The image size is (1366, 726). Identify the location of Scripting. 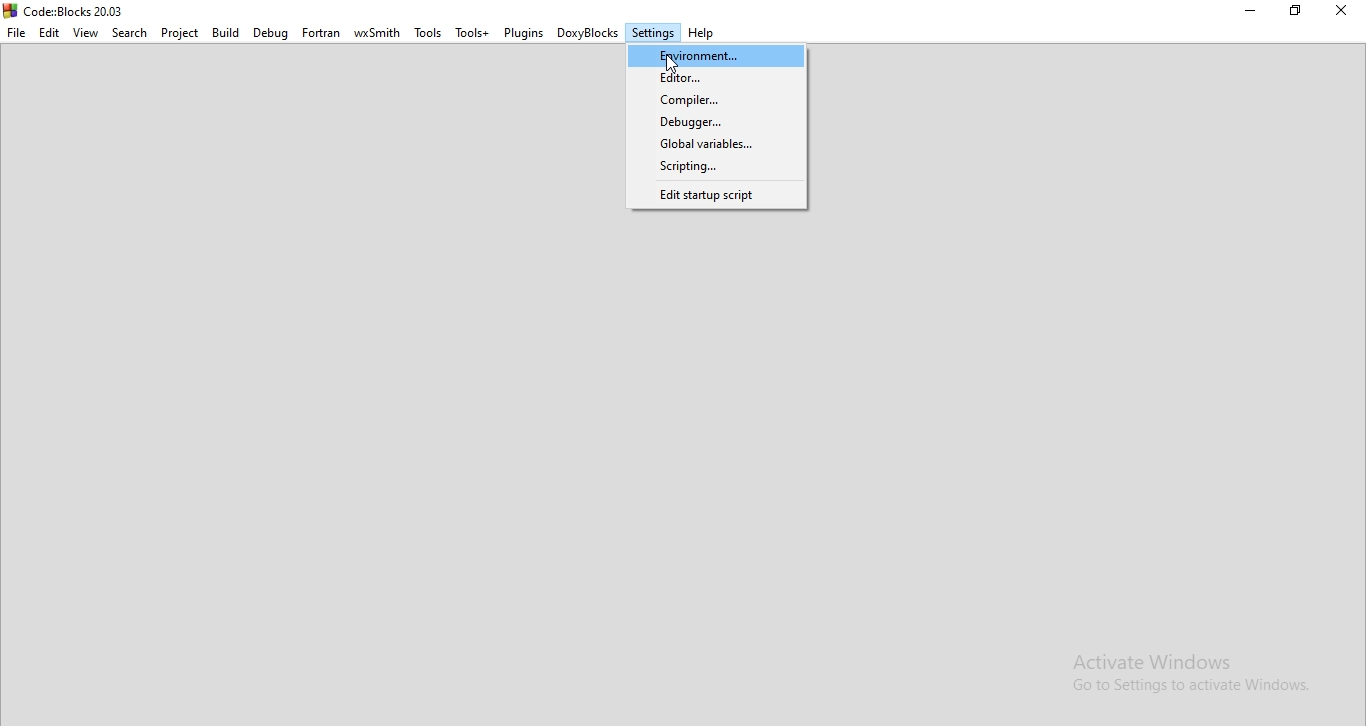
(718, 168).